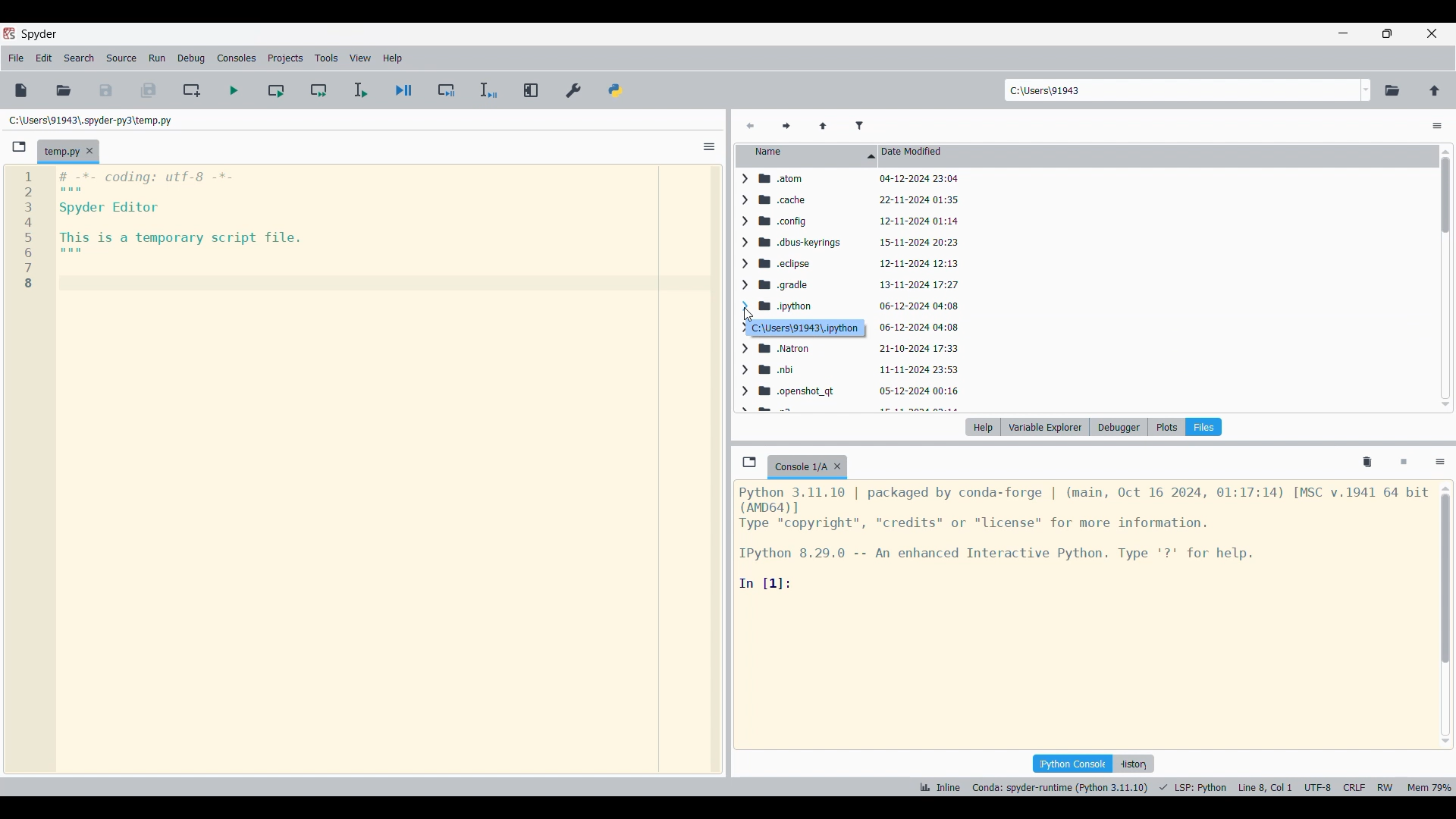 Image resolution: width=1456 pixels, height=819 pixels. What do you see at coordinates (824, 127) in the screenshot?
I see `Parent` at bounding box center [824, 127].